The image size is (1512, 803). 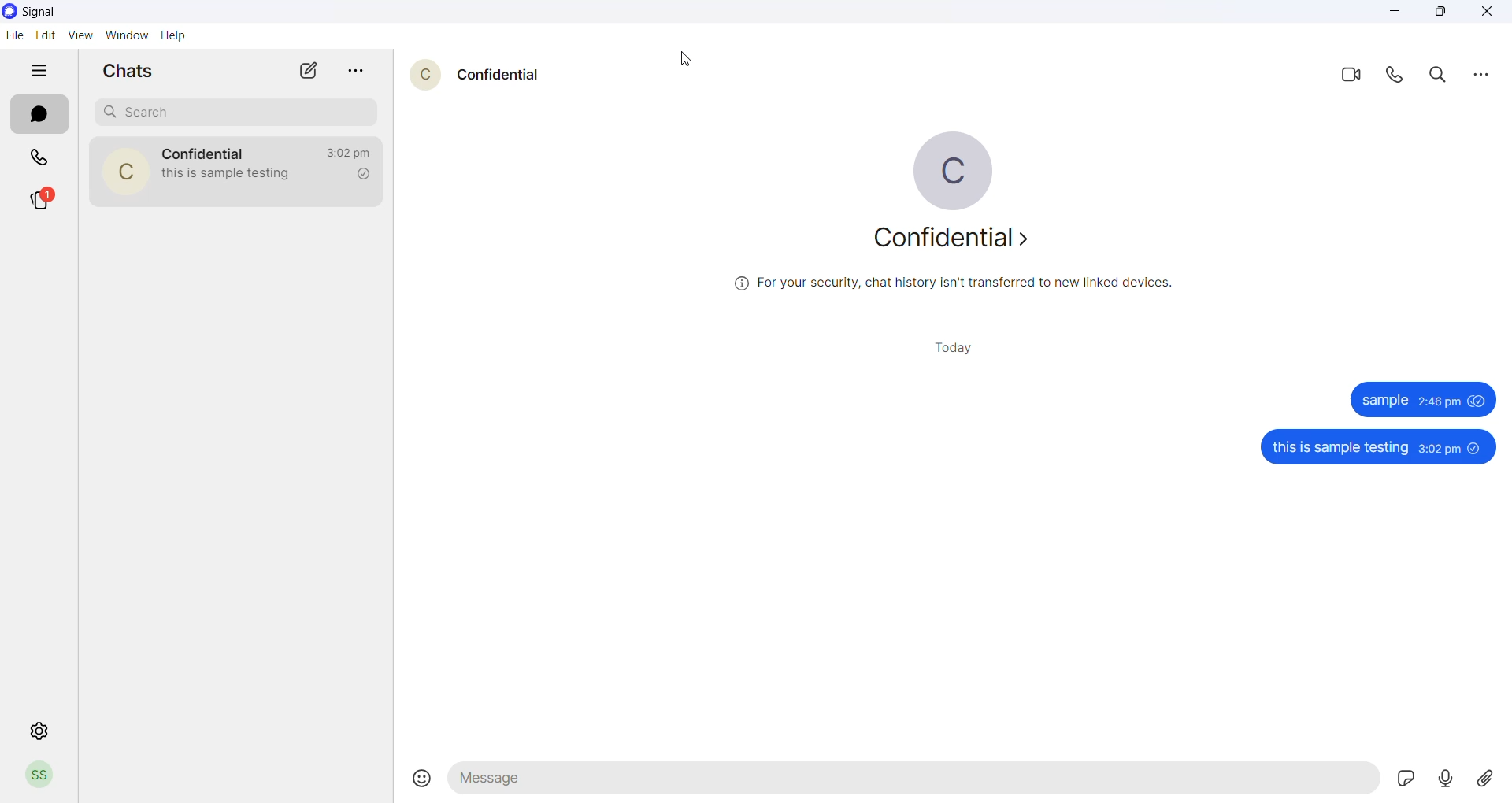 I want to click on view, so click(x=79, y=35).